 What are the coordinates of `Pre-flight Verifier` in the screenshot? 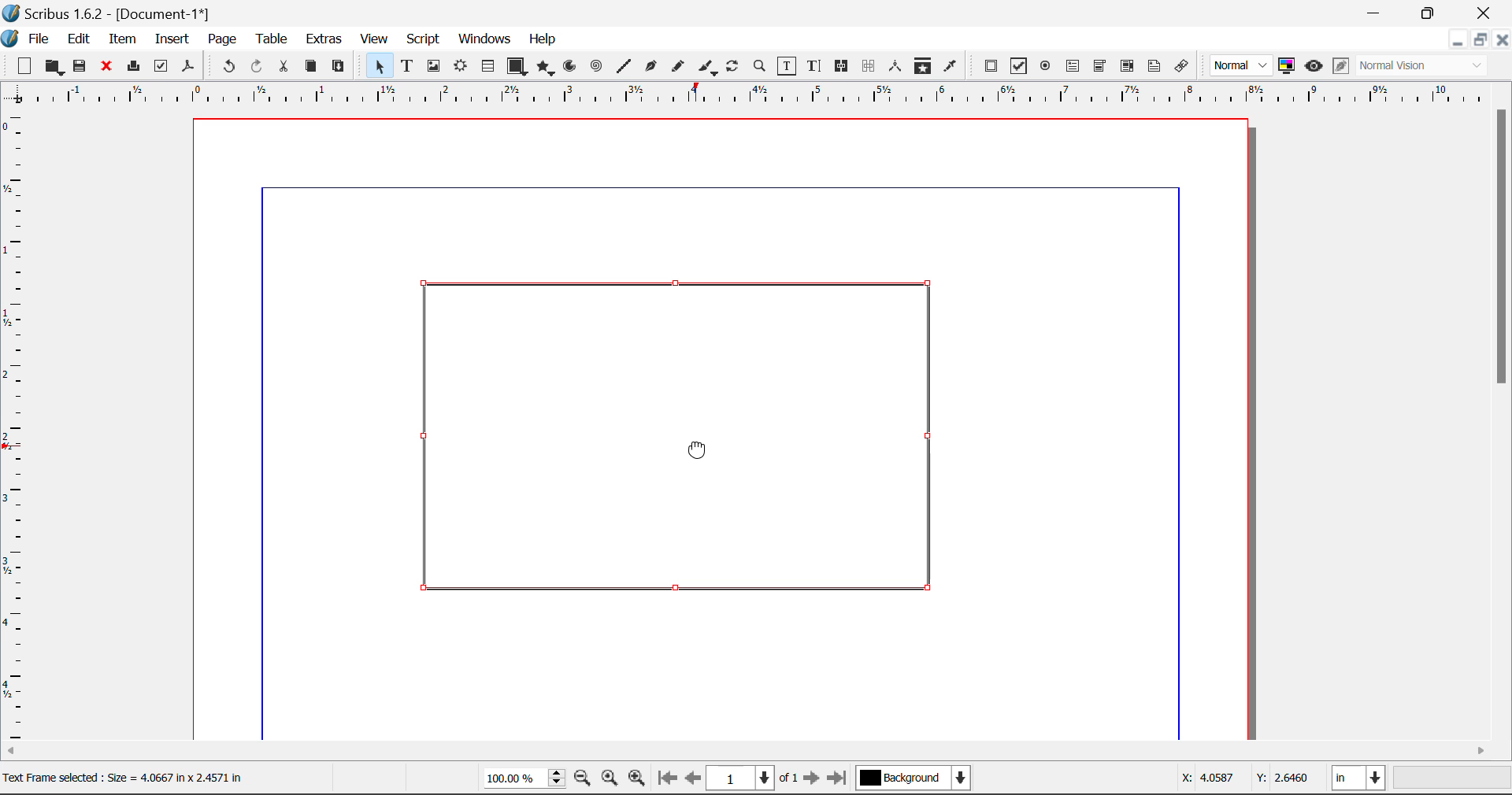 It's located at (161, 66).